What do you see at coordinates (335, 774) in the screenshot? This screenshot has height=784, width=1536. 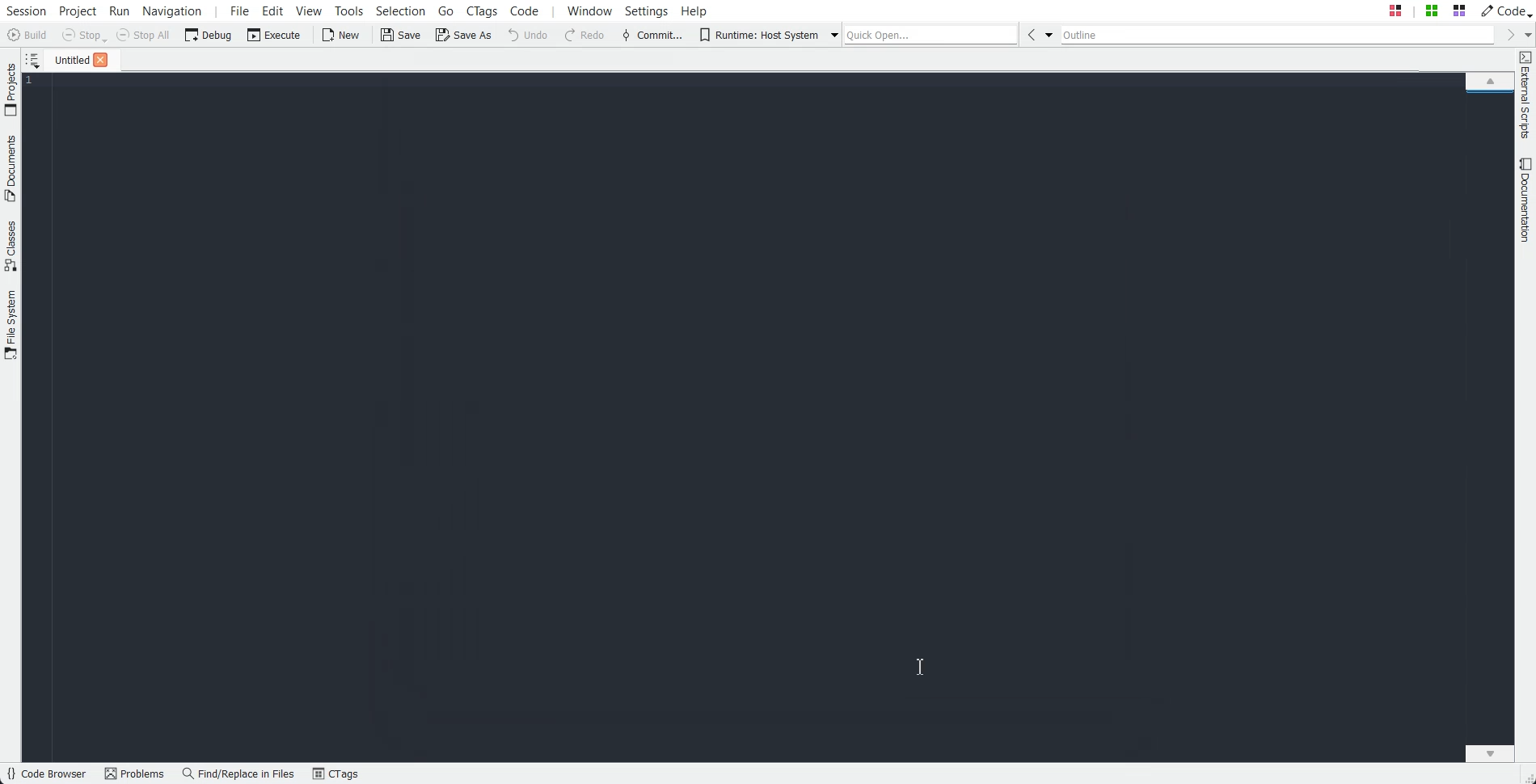 I see `CTags` at bounding box center [335, 774].